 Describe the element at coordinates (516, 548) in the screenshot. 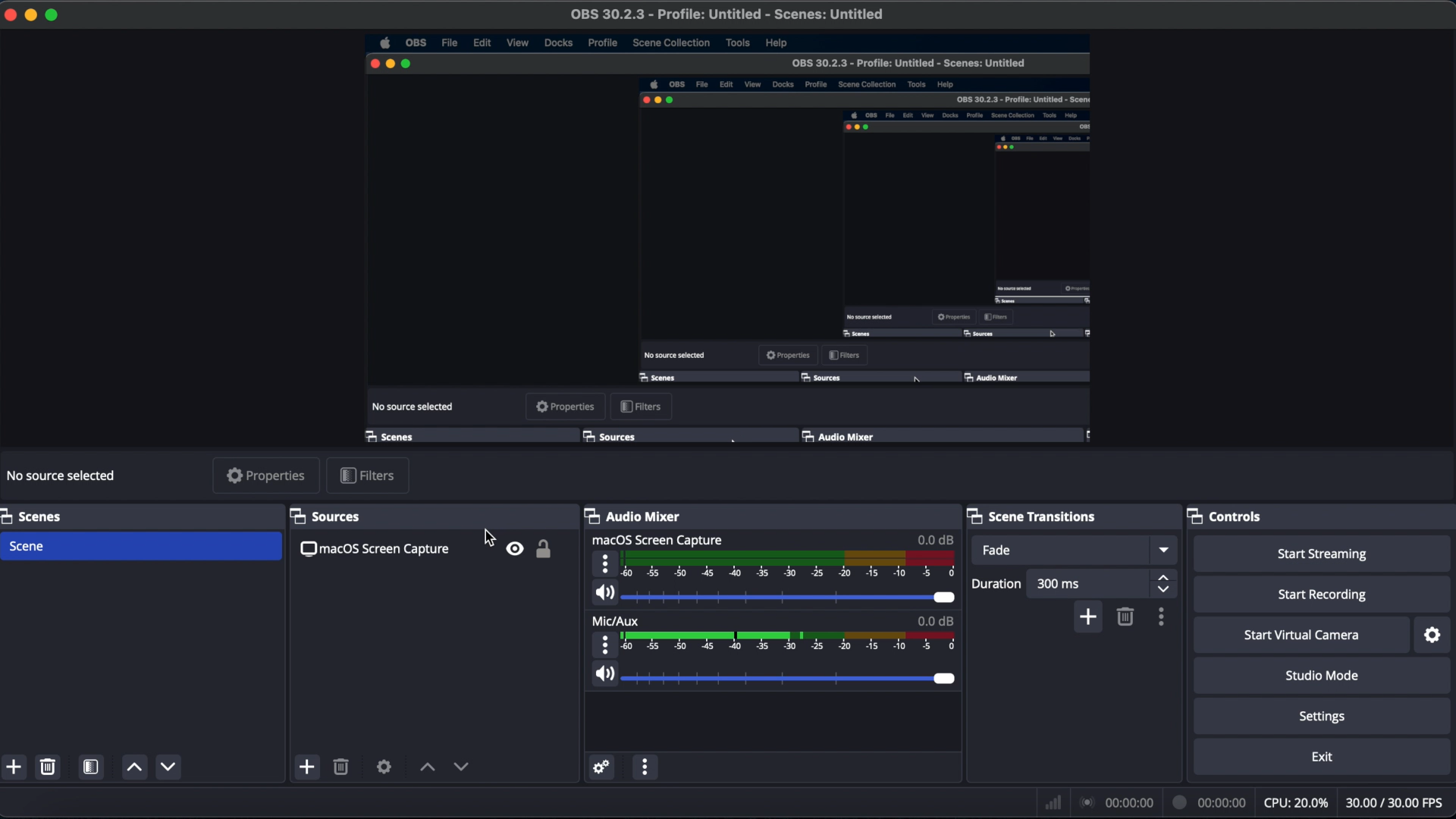

I see `visibility toggle` at that location.